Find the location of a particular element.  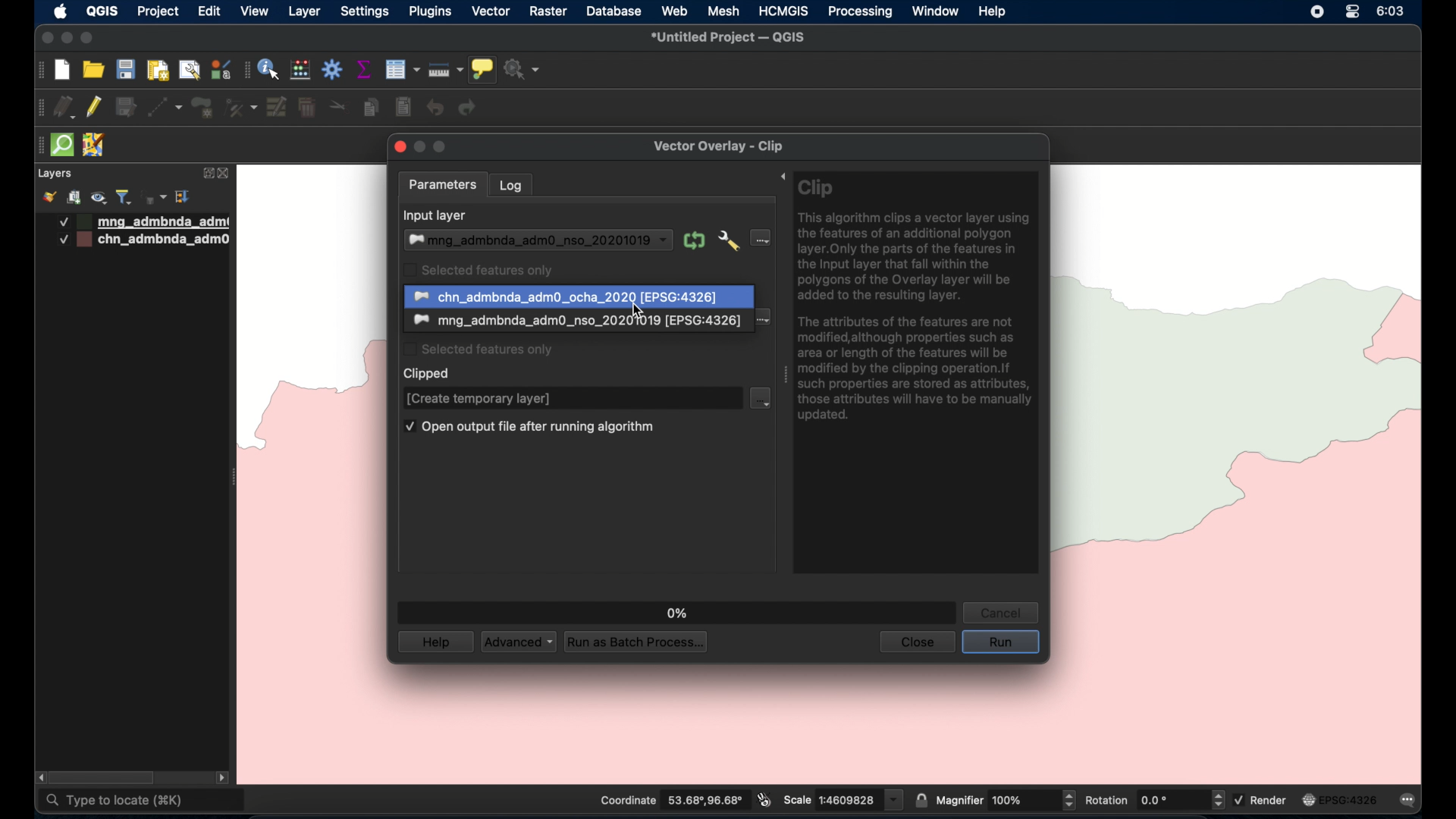

open styling panel is located at coordinates (48, 197).